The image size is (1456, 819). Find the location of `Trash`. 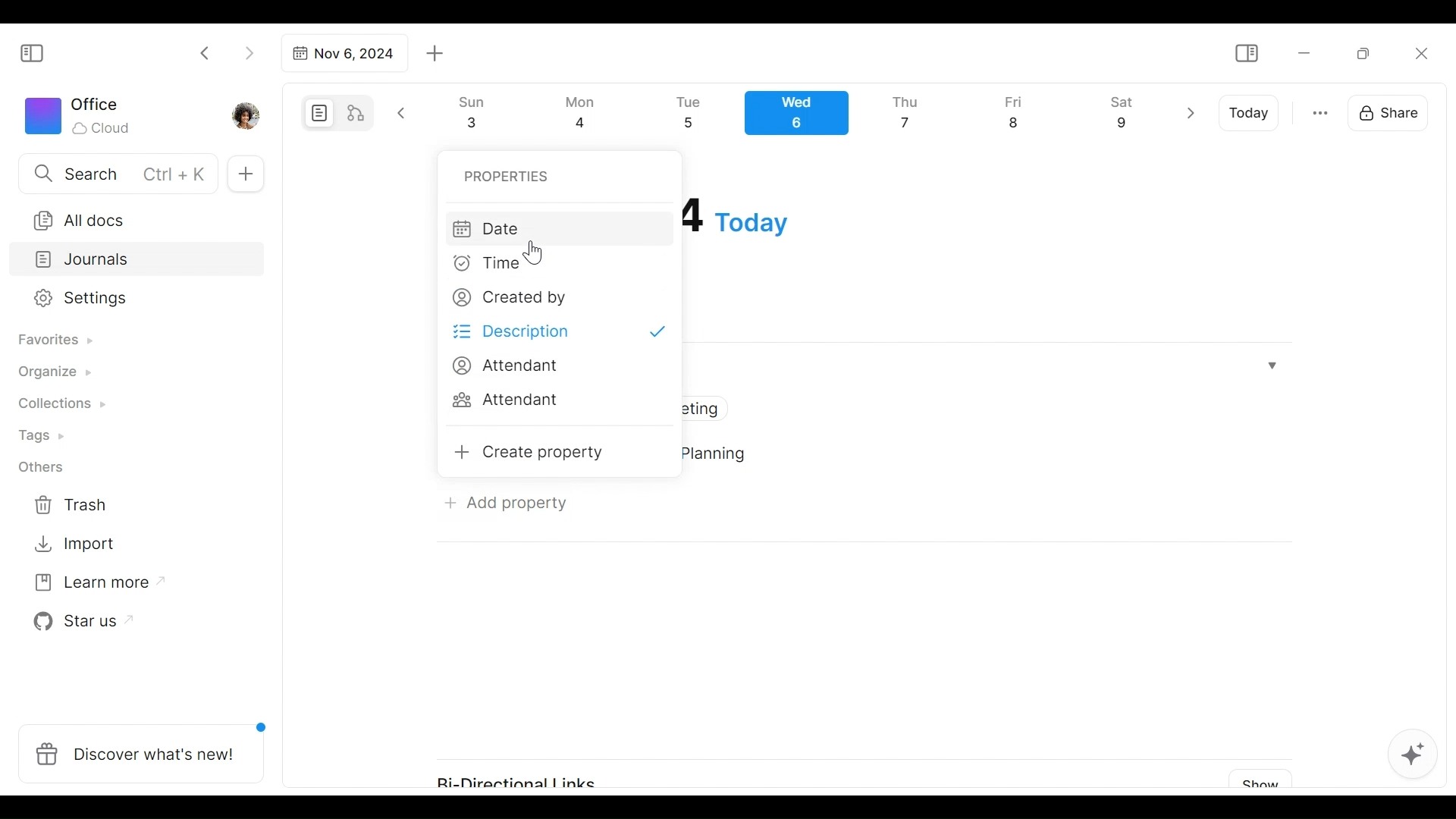

Trash is located at coordinates (72, 505).